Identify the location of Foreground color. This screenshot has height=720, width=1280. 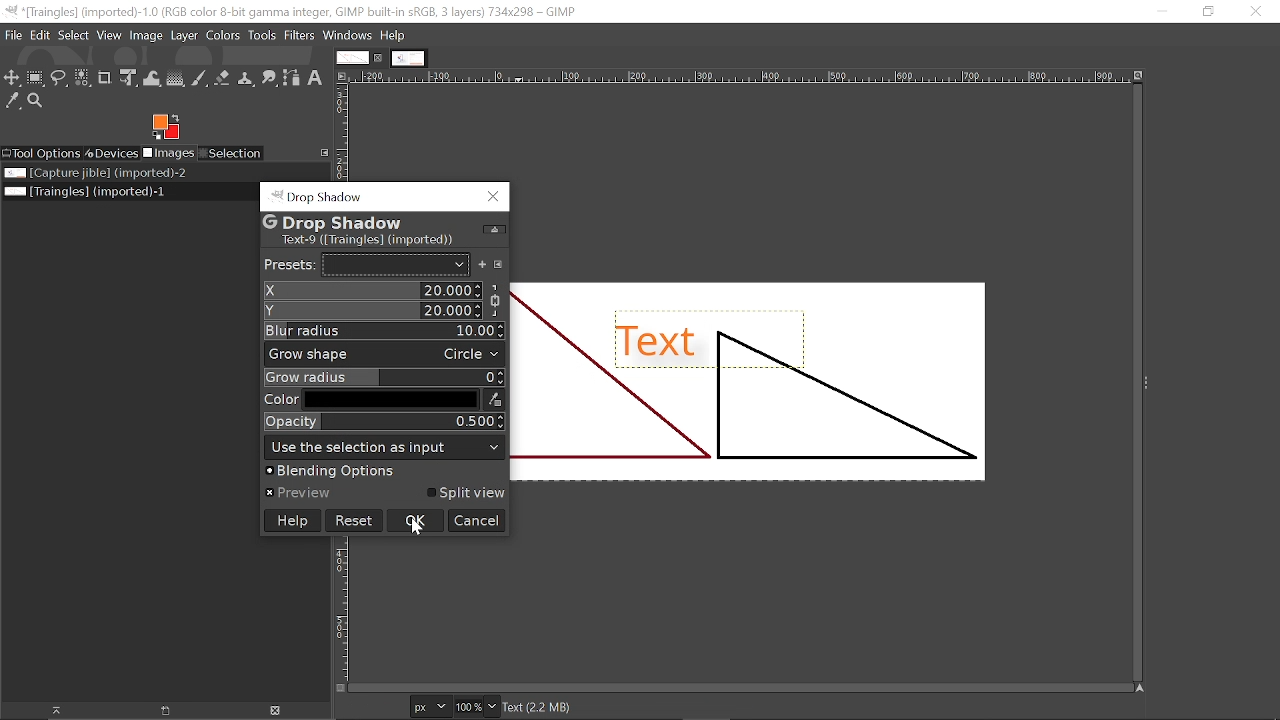
(168, 126).